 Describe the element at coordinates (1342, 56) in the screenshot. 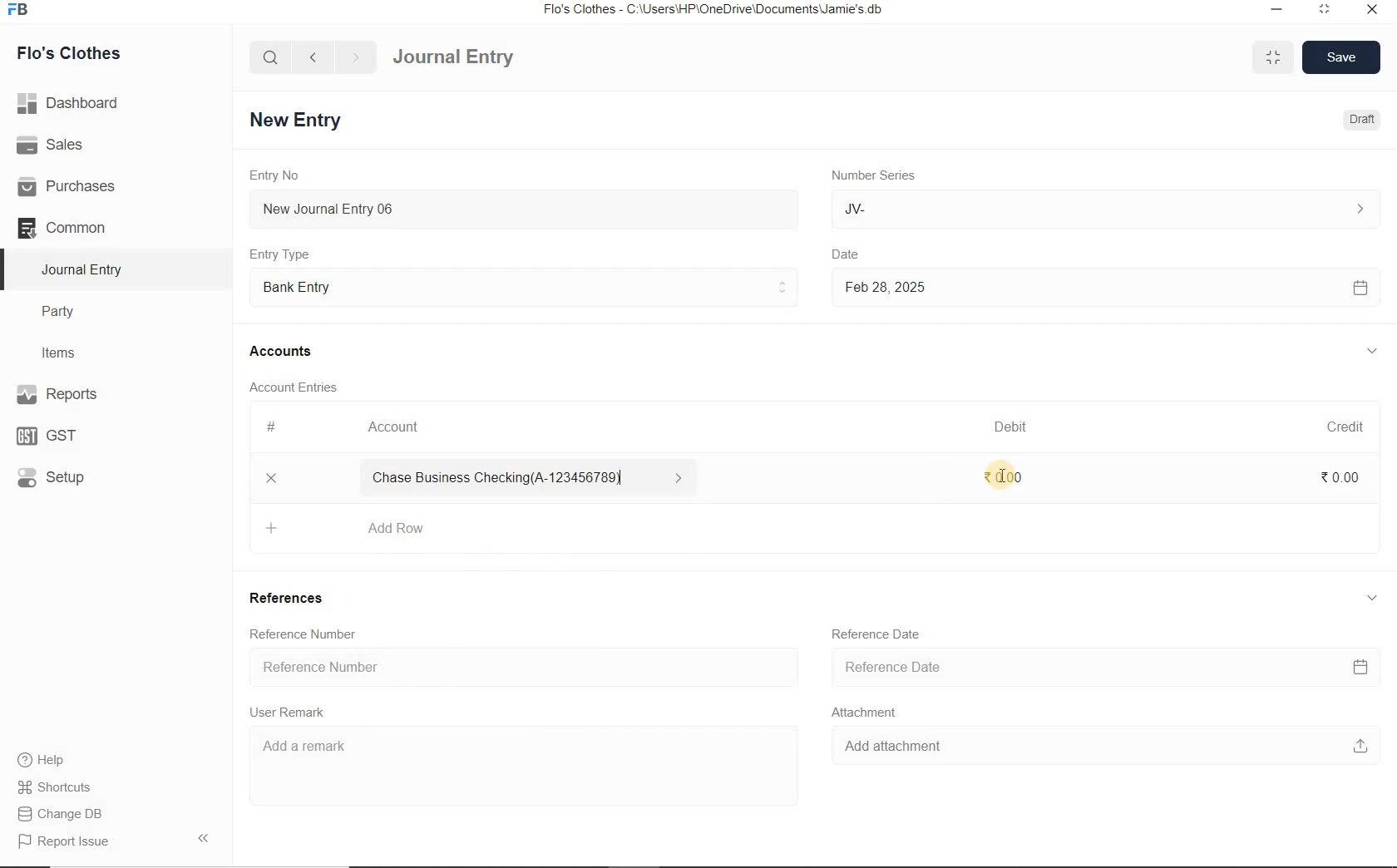

I see `Save` at that location.